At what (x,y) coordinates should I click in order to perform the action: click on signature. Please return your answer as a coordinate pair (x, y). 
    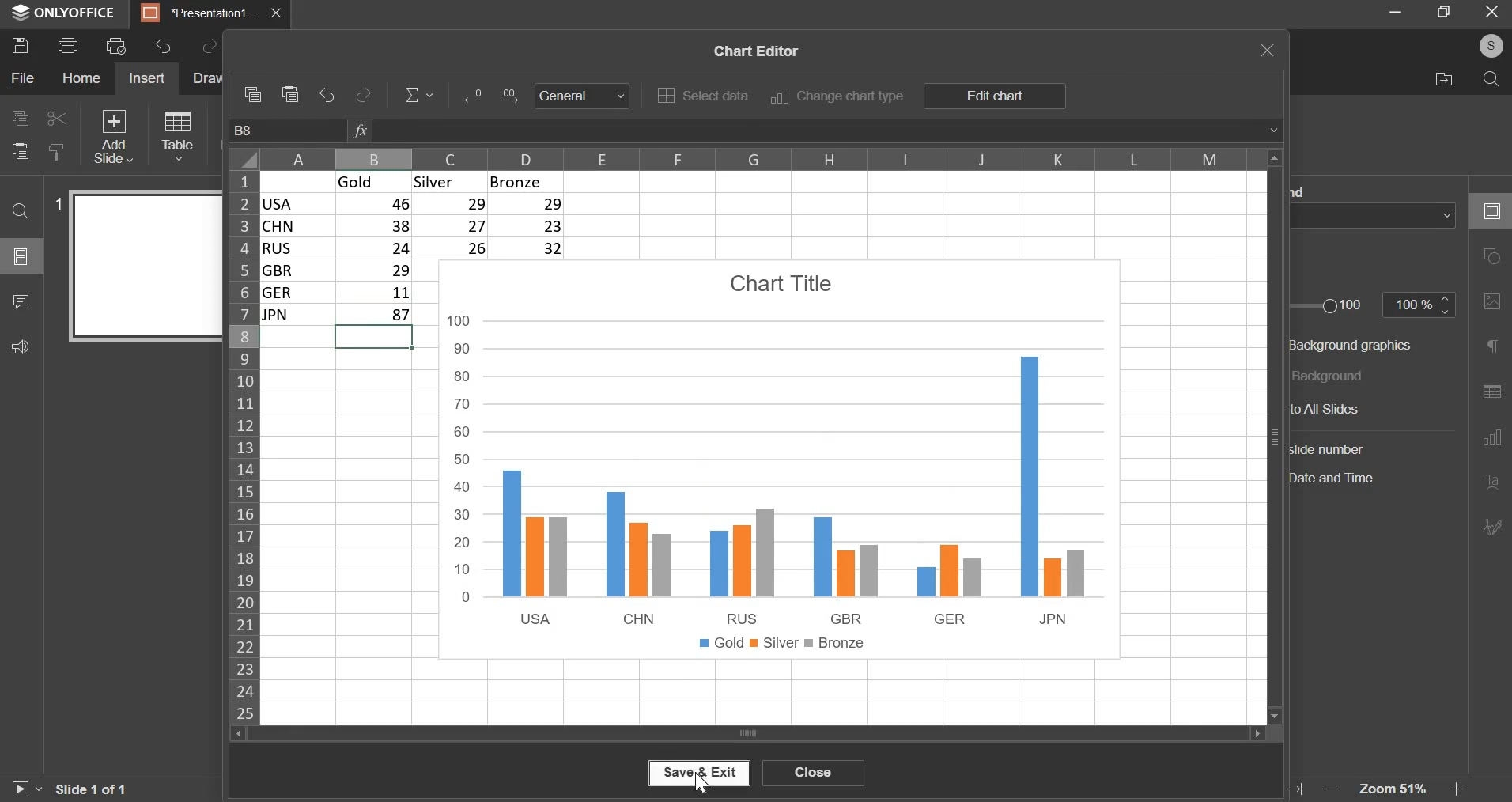
    Looking at the image, I should click on (1492, 528).